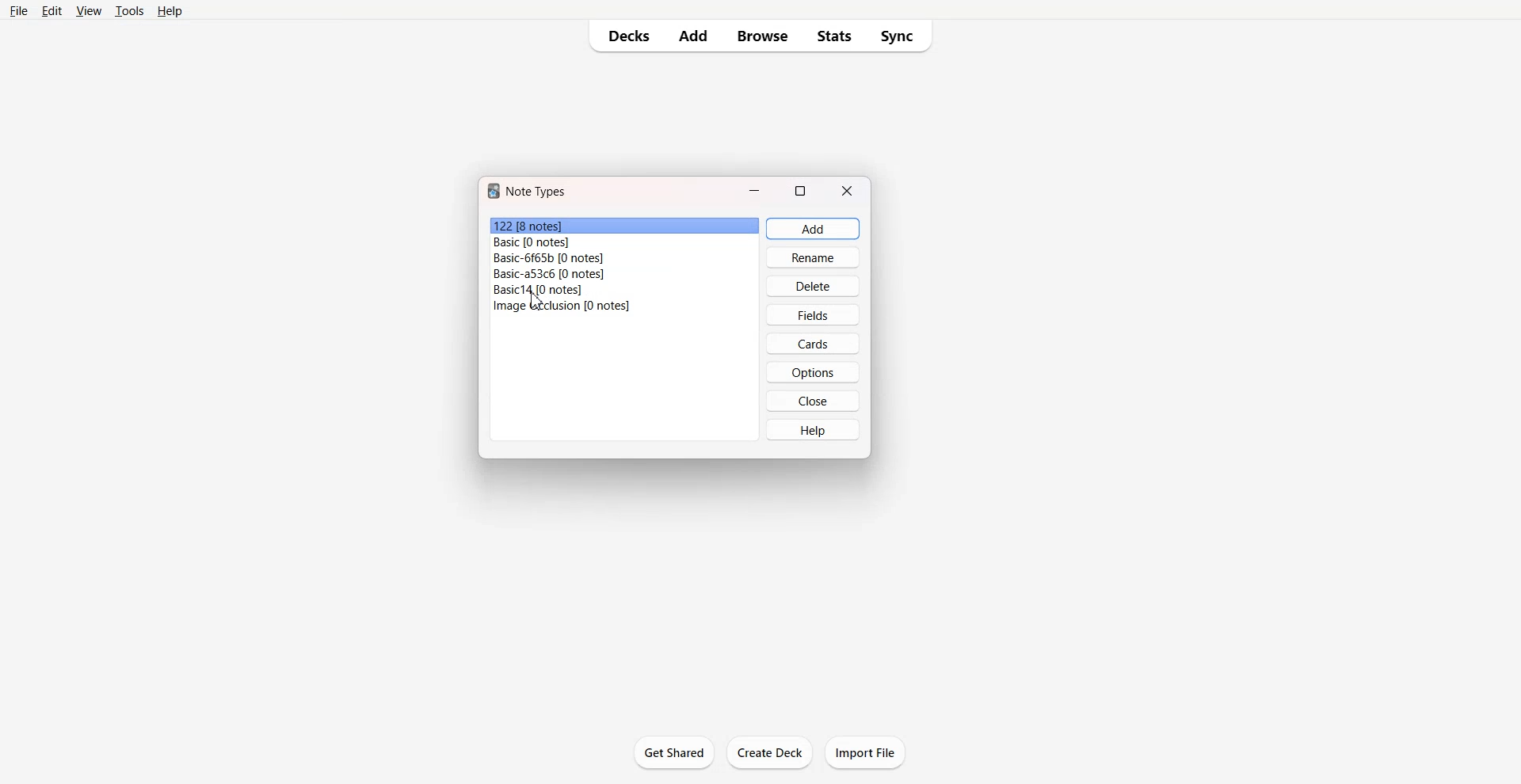  I want to click on File, so click(625, 242).